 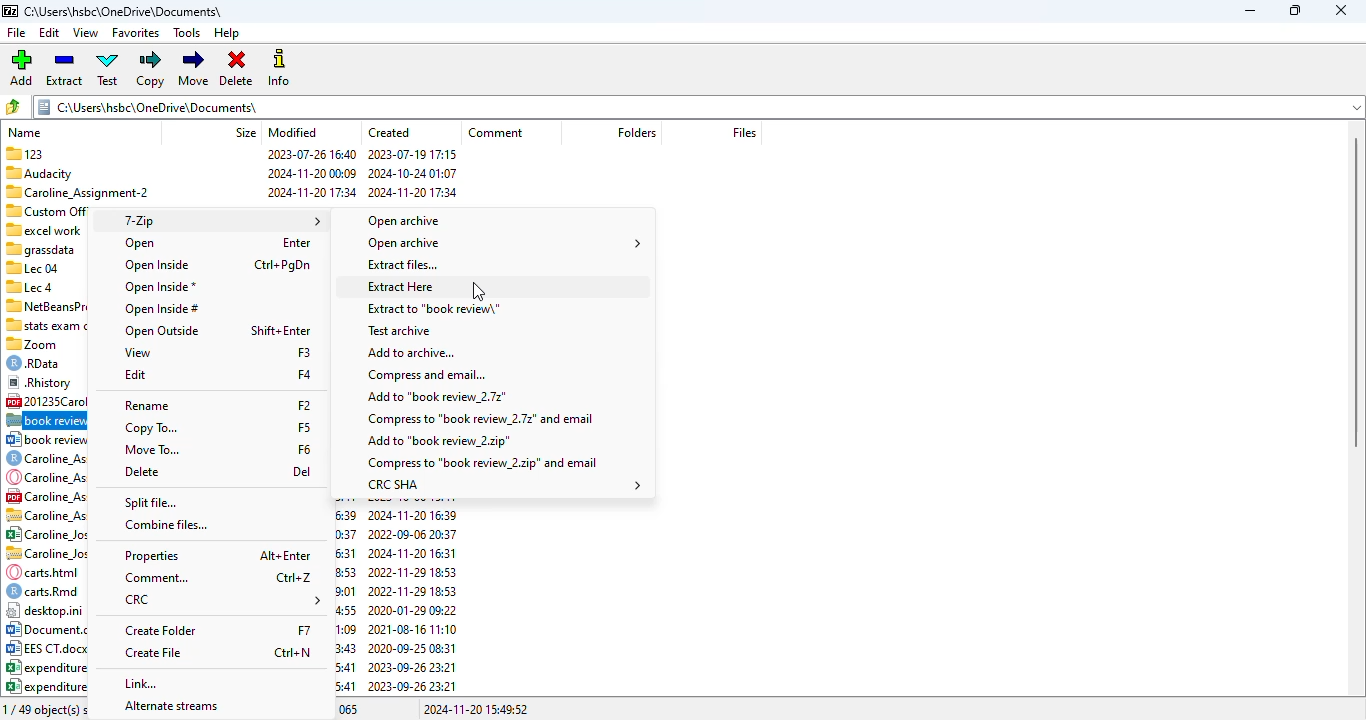 What do you see at coordinates (312, 176) in the screenshot?
I see `modified date & time` at bounding box center [312, 176].